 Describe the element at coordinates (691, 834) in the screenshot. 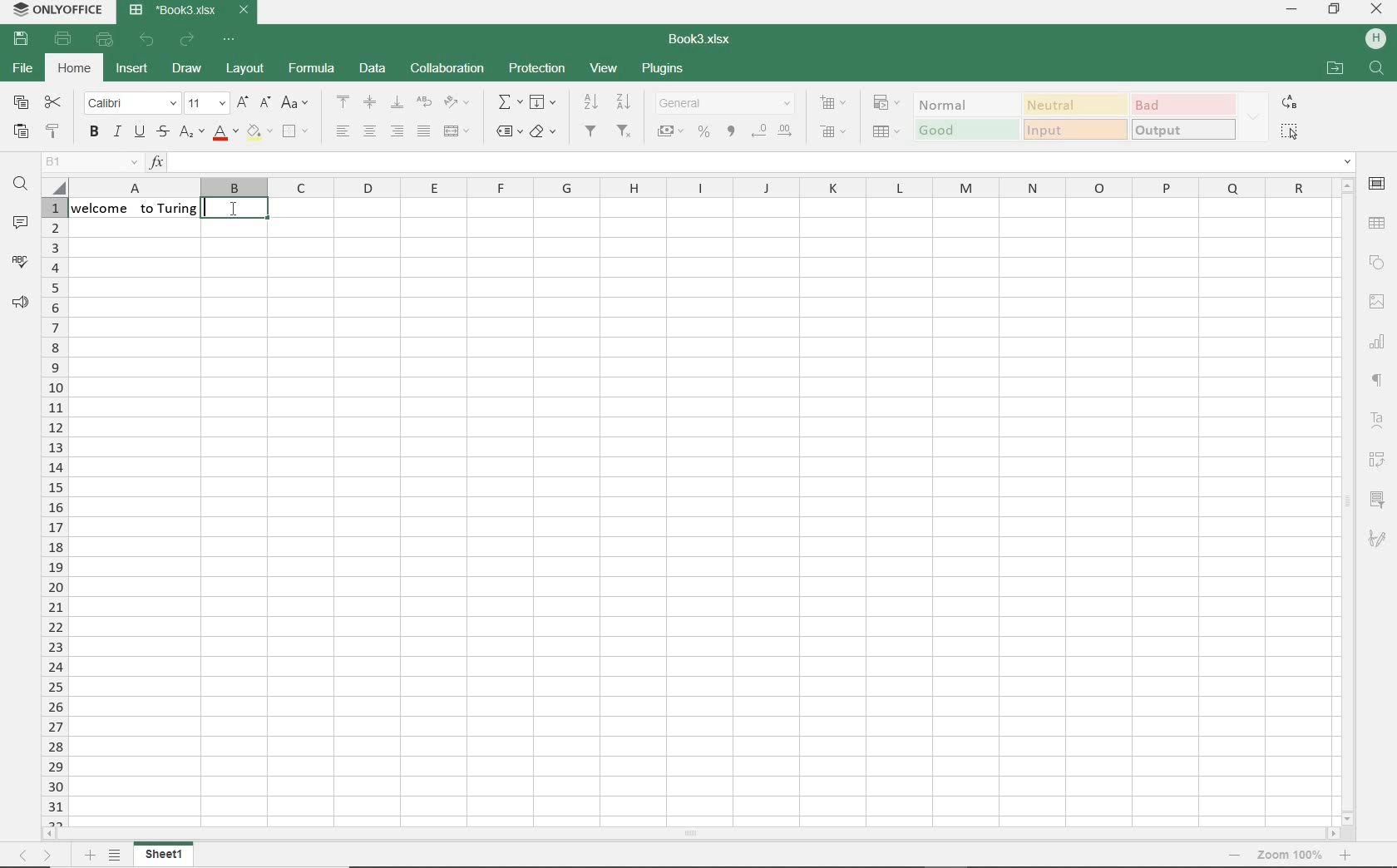

I see `scrollbar` at that location.